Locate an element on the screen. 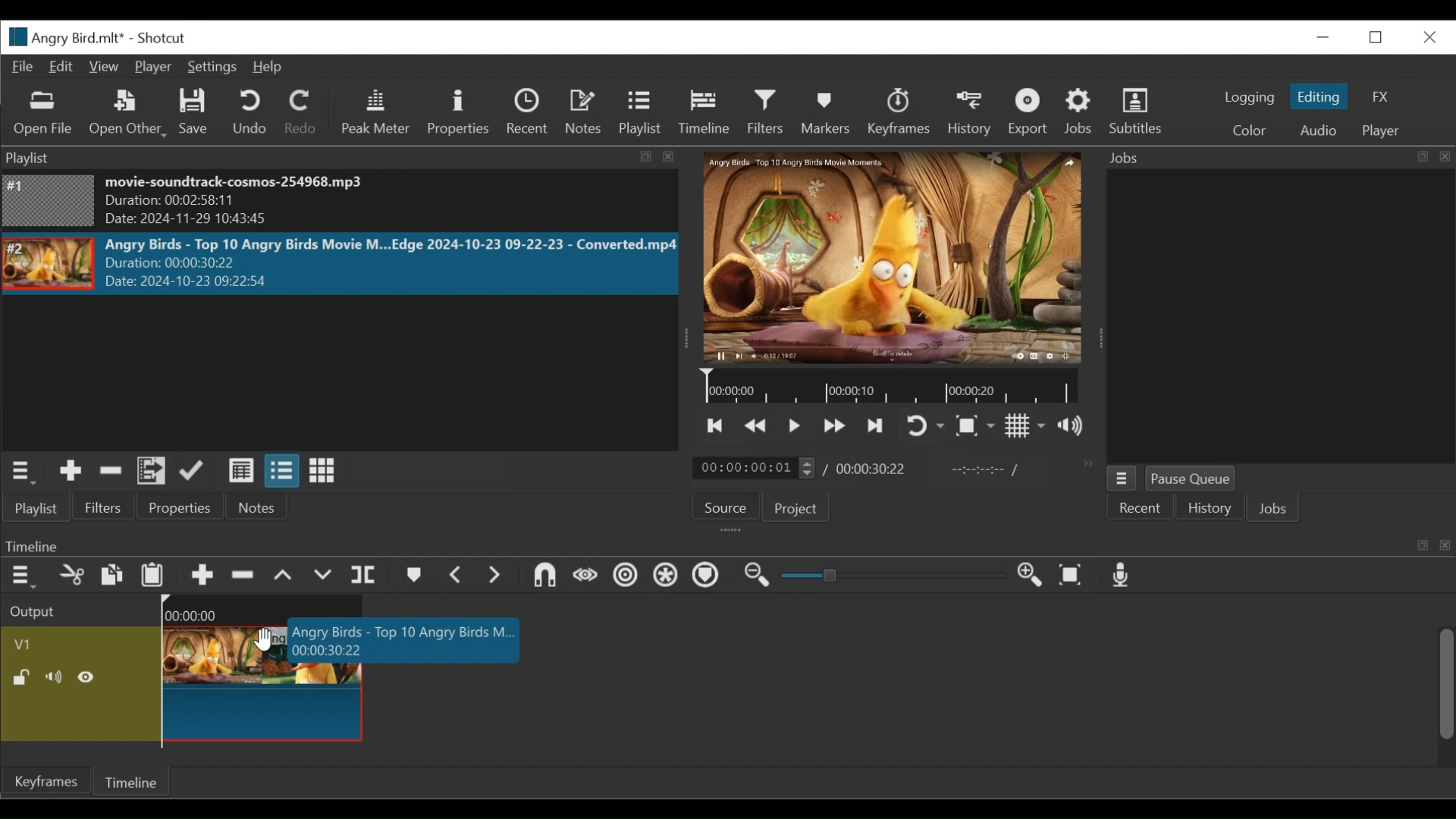 The width and height of the screenshot is (1456, 819). 00:00:00(Timeline) is located at coordinates (267, 610).